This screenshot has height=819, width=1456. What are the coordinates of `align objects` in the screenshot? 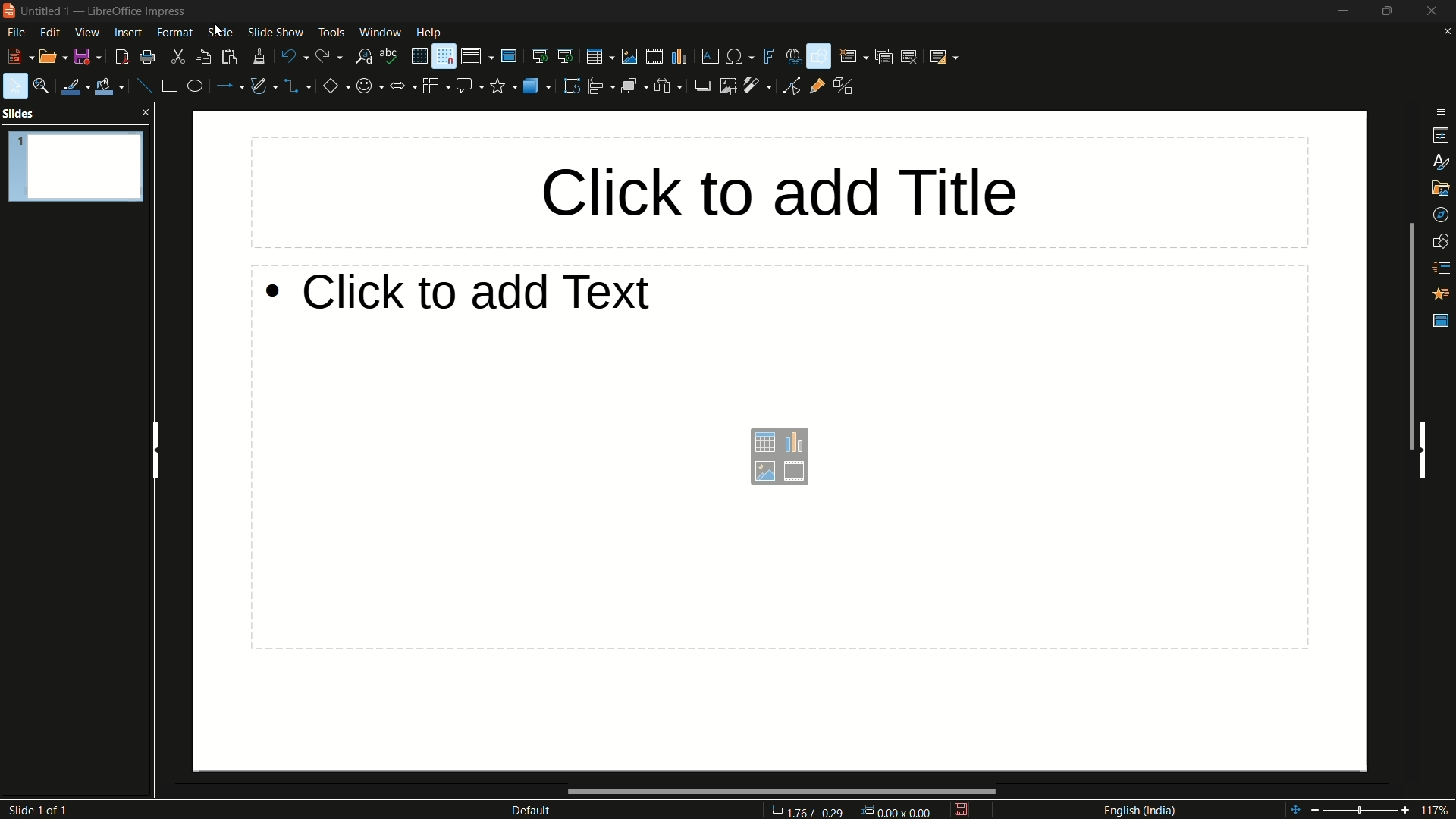 It's located at (601, 86).